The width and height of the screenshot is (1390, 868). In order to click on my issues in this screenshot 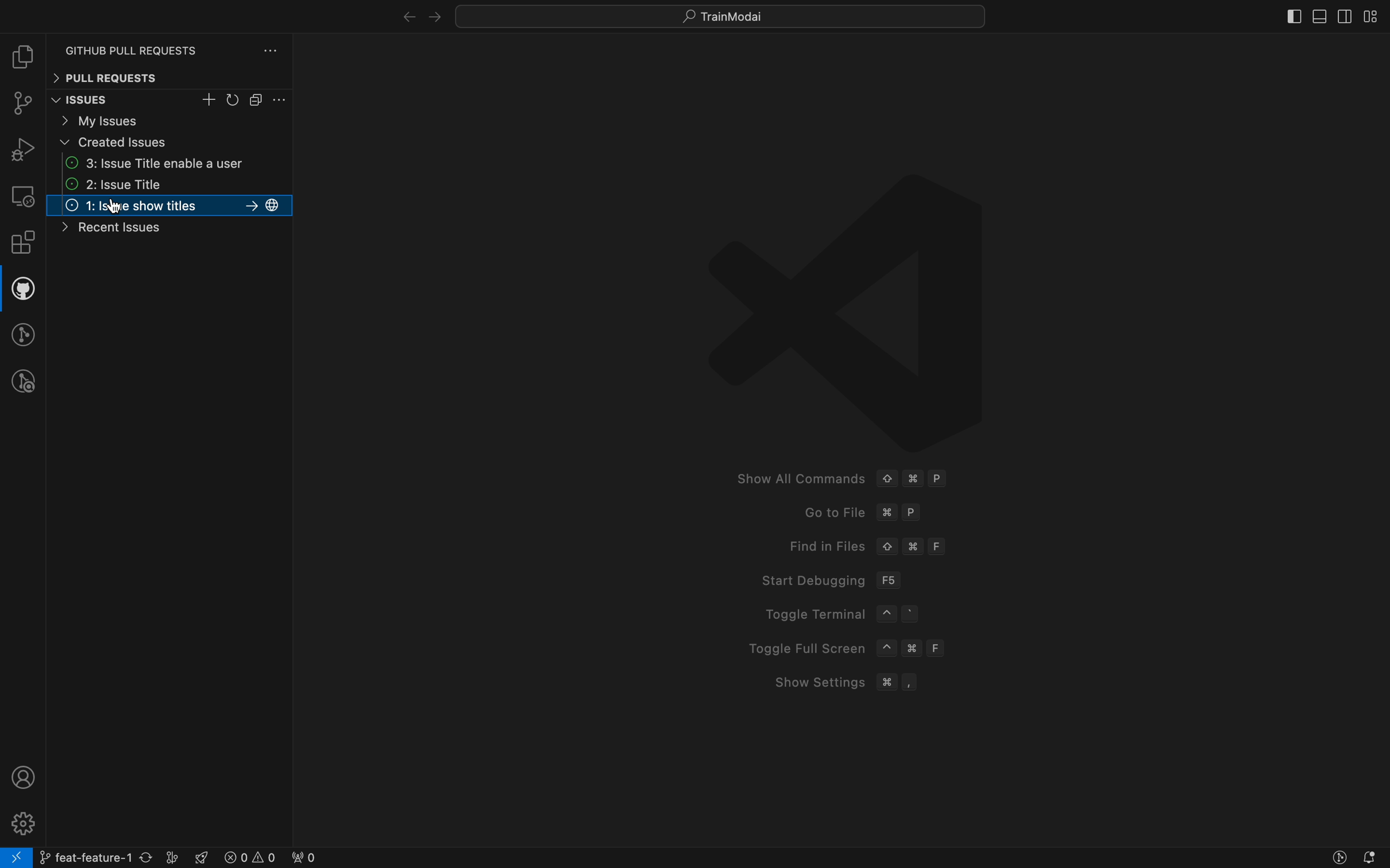, I will do `click(170, 120)`.